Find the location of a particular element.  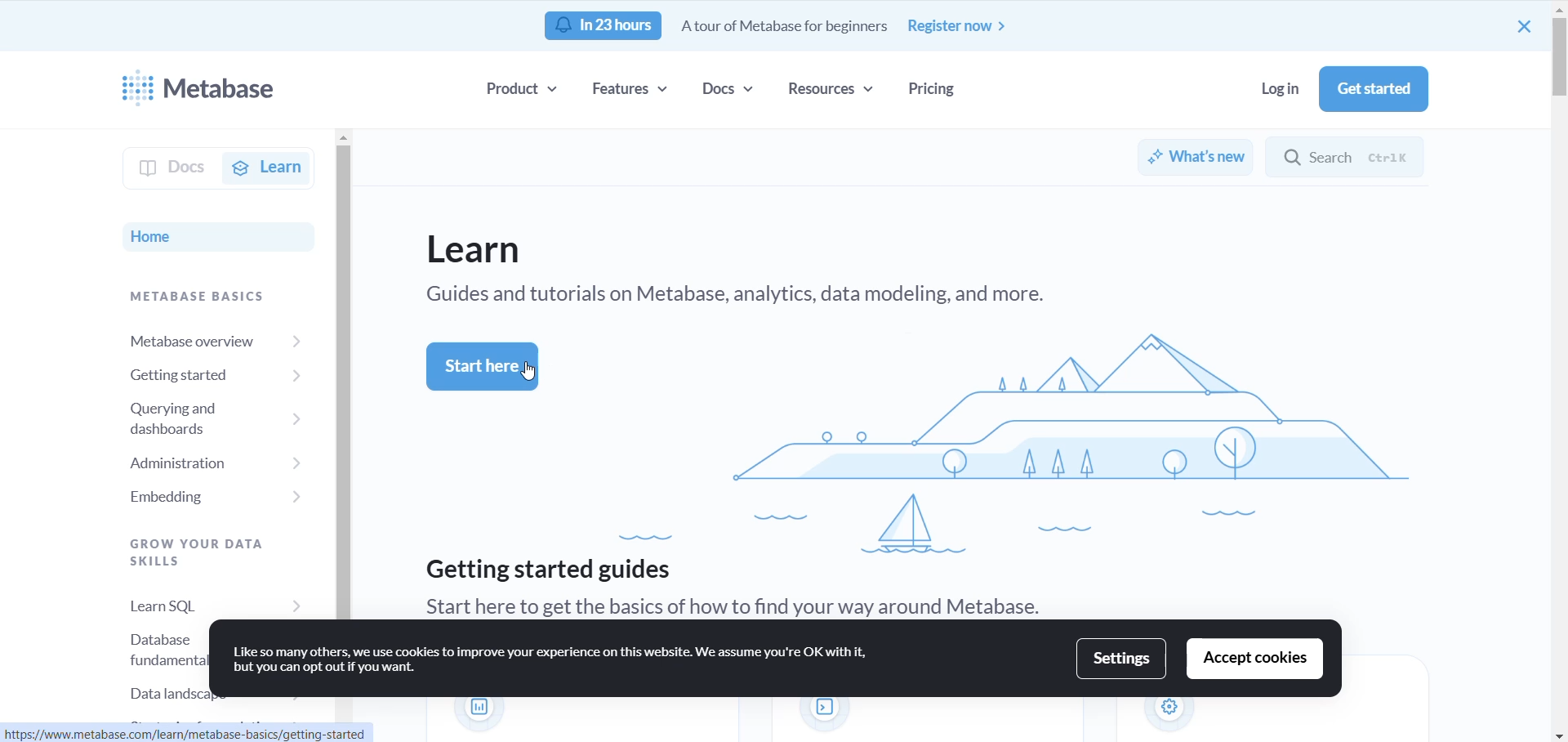

grow your data skills is located at coordinates (180, 548).